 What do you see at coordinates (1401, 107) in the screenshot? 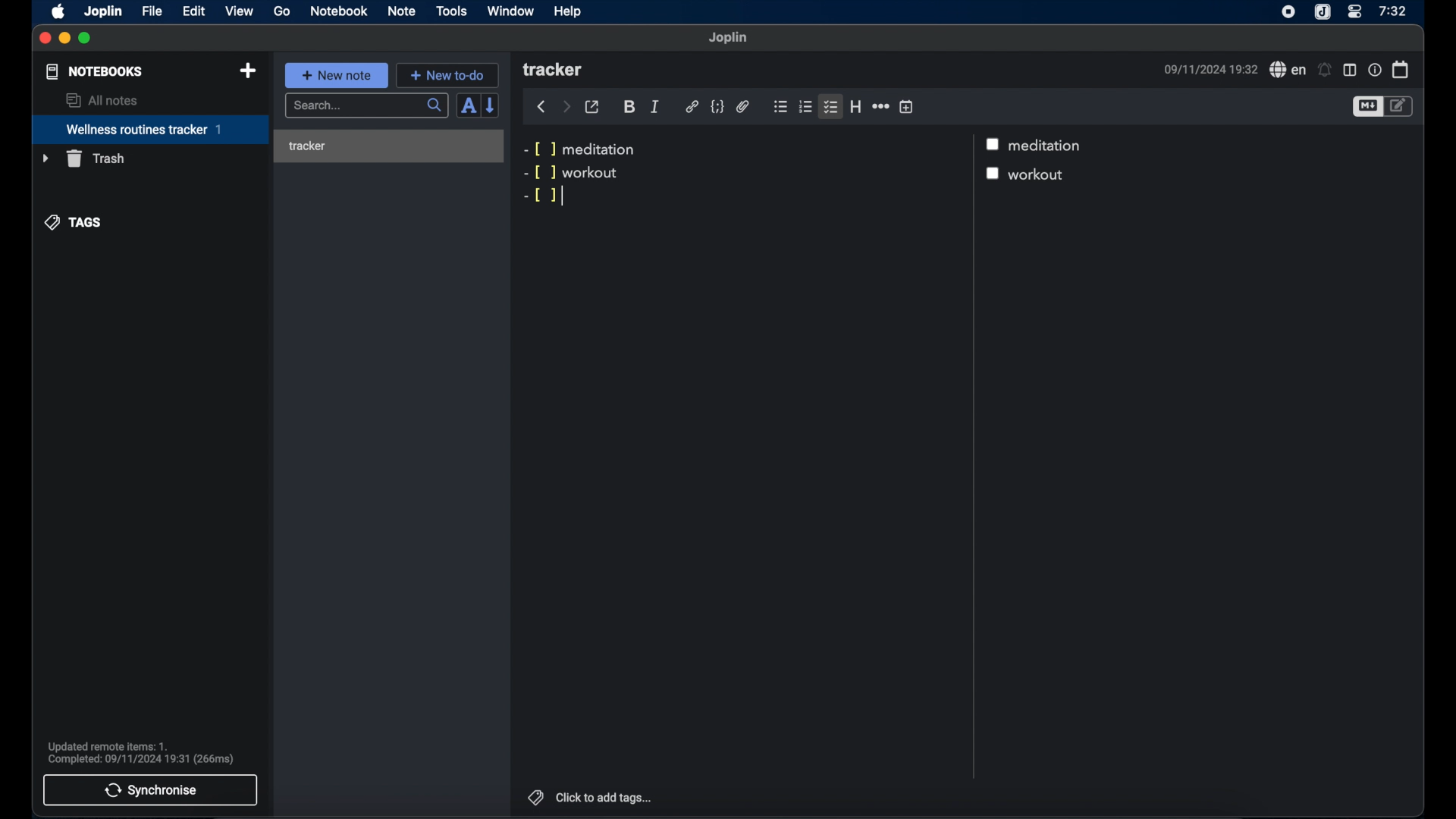
I see `toggle editor` at bounding box center [1401, 107].